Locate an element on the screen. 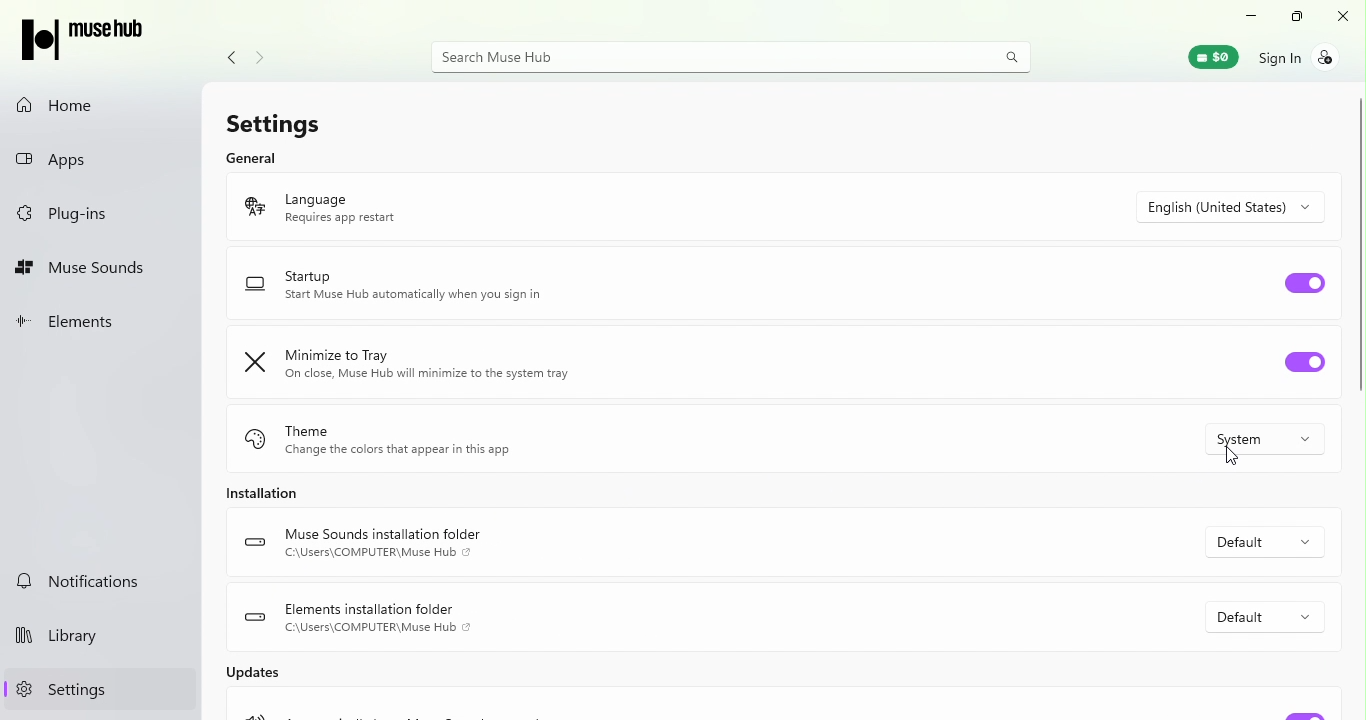 The width and height of the screenshot is (1366, 720). Elements is located at coordinates (69, 319).